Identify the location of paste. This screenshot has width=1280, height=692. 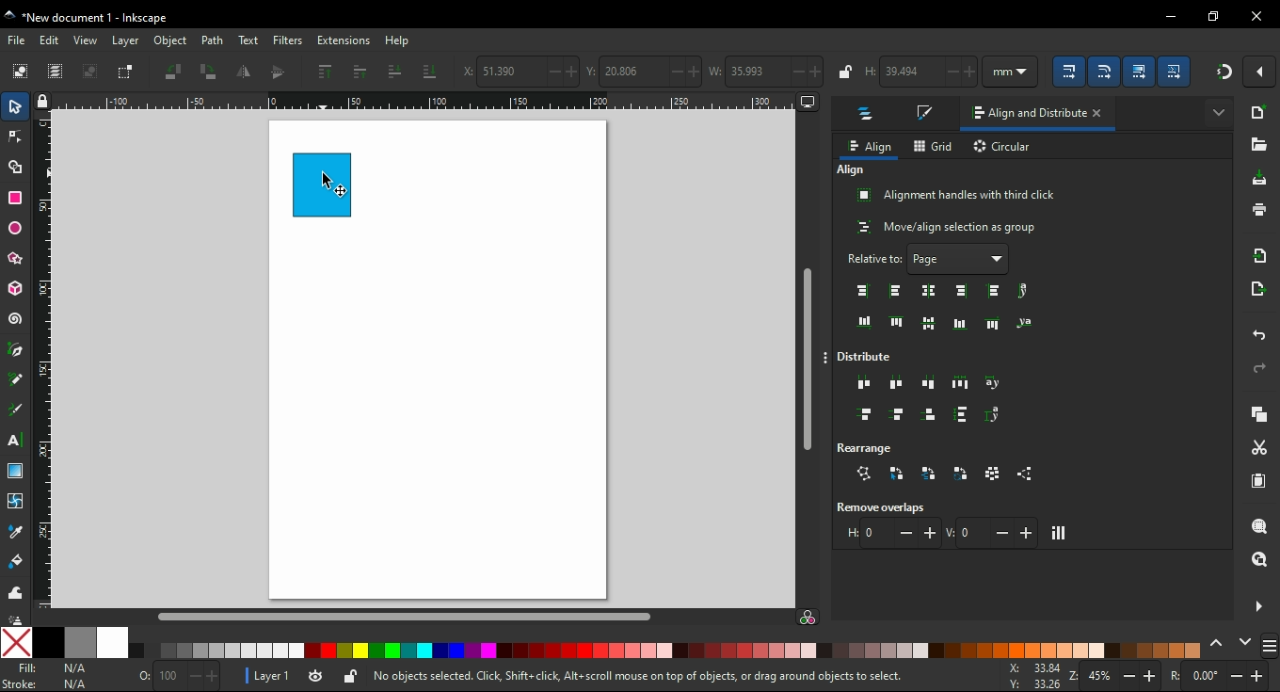
(1261, 481).